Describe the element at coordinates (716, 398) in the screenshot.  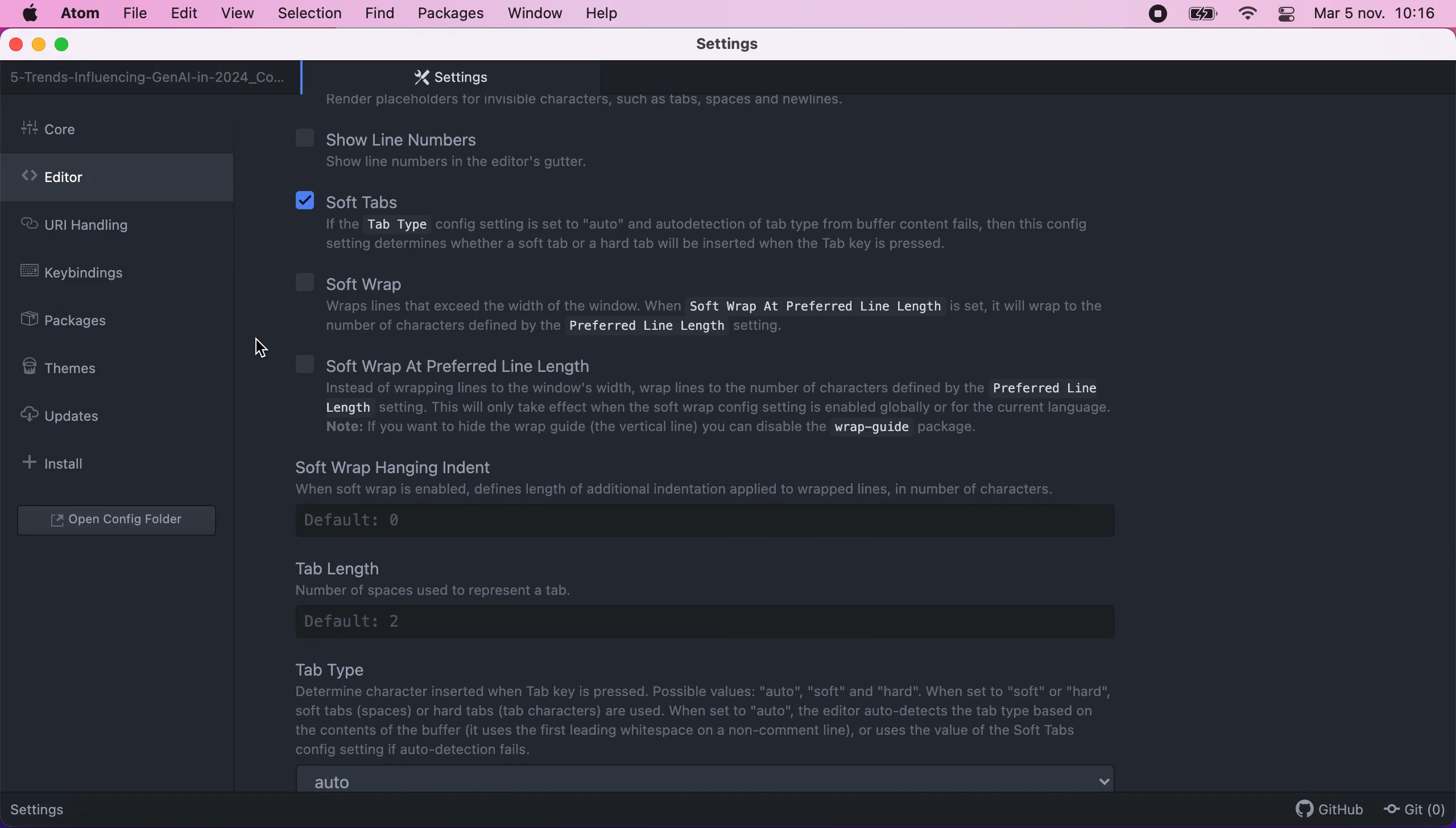
I see `soft wrap at preferred line length` at that location.